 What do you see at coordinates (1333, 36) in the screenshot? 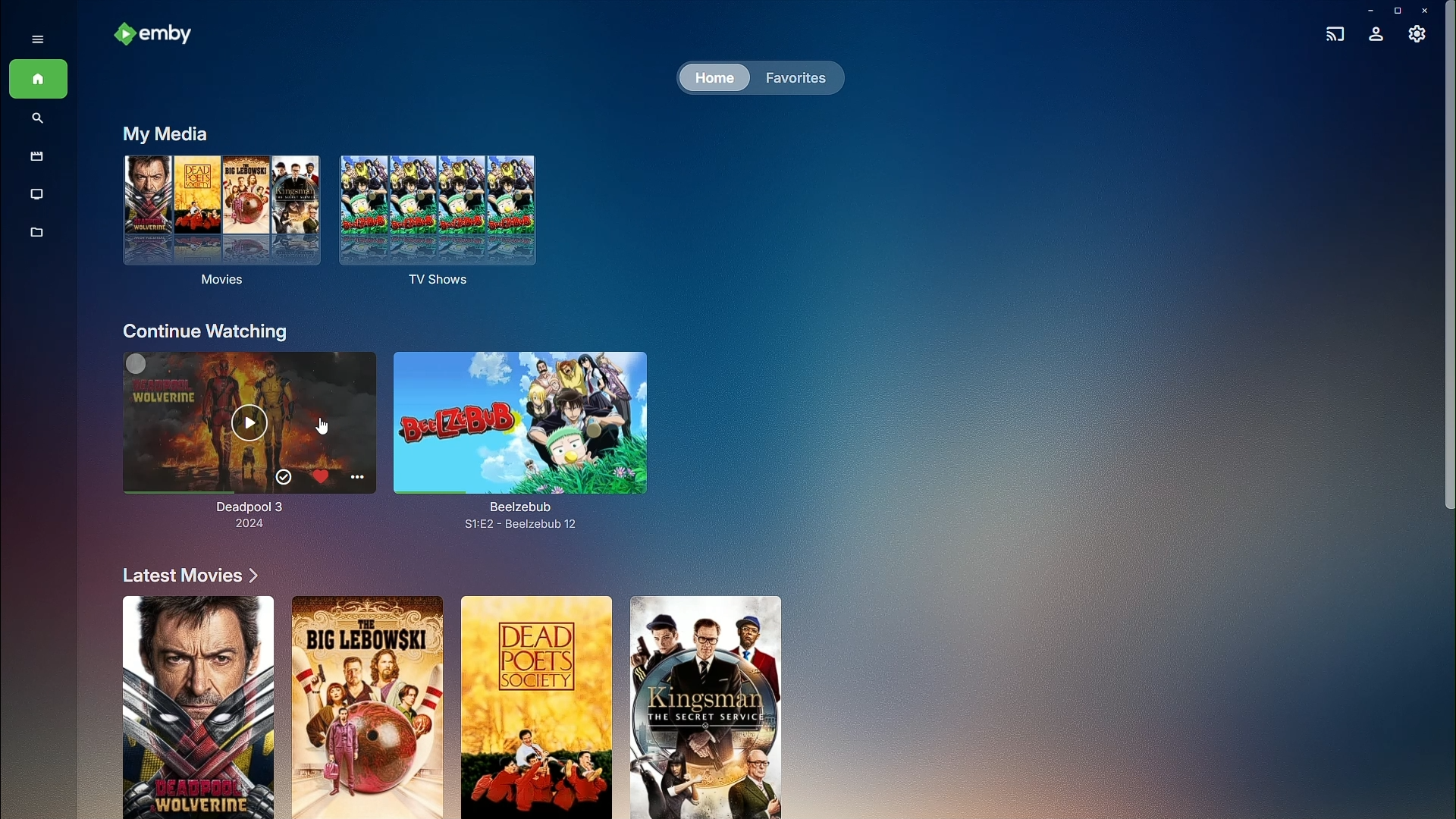
I see `Cast` at bounding box center [1333, 36].